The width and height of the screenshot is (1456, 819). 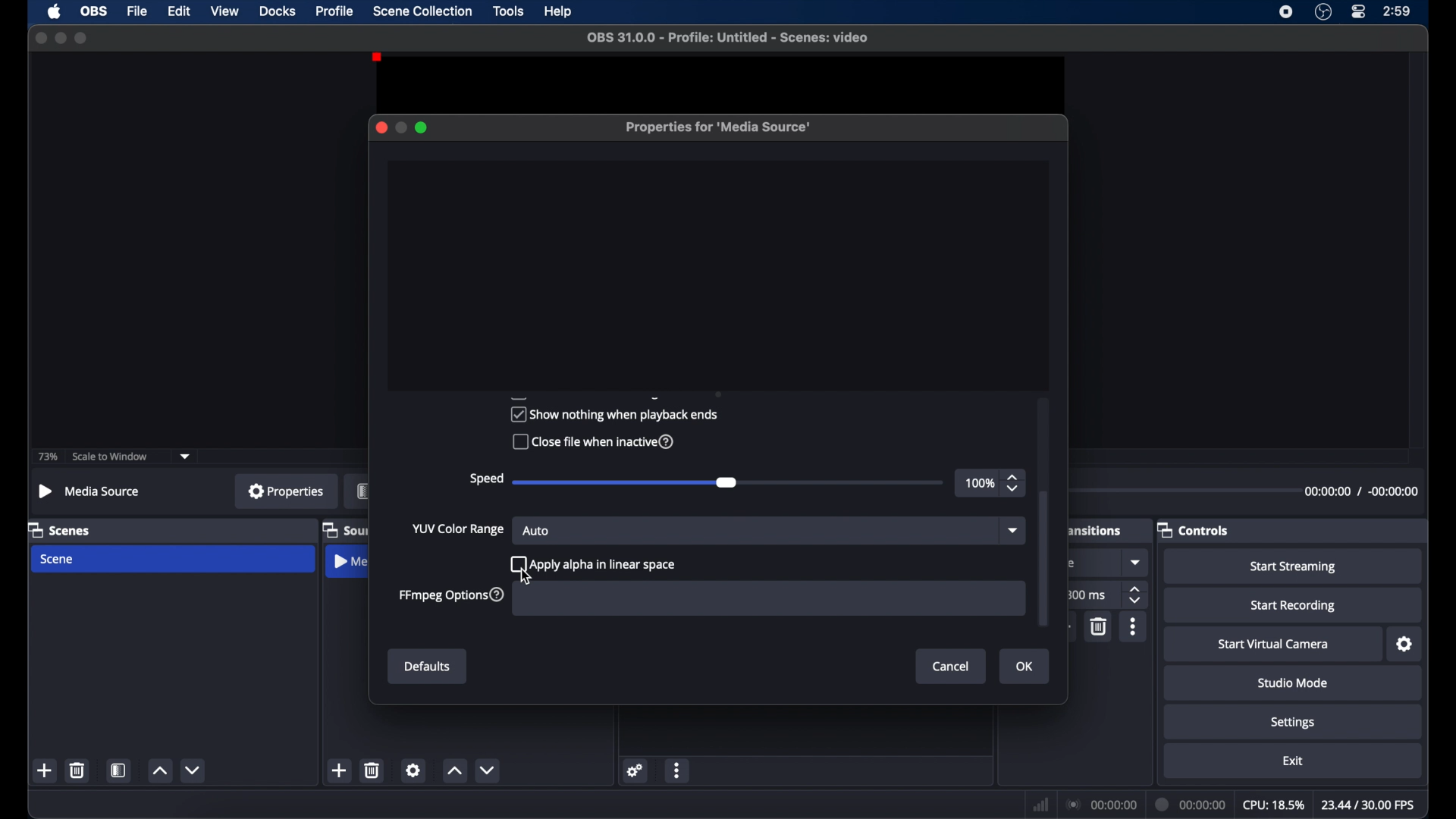 What do you see at coordinates (1013, 483) in the screenshot?
I see `stepper buttons` at bounding box center [1013, 483].